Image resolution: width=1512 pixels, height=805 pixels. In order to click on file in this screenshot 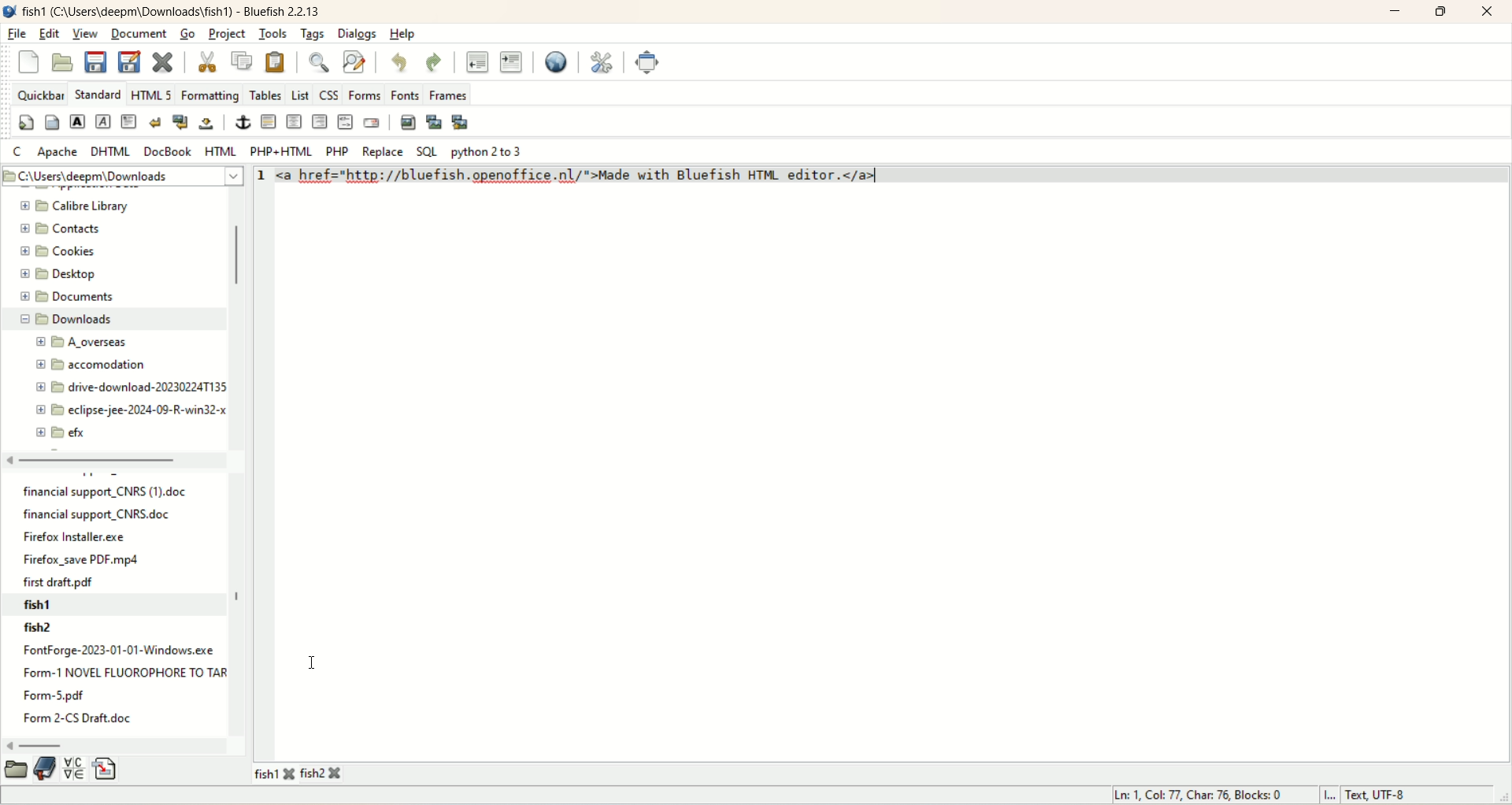, I will do `click(17, 35)`.